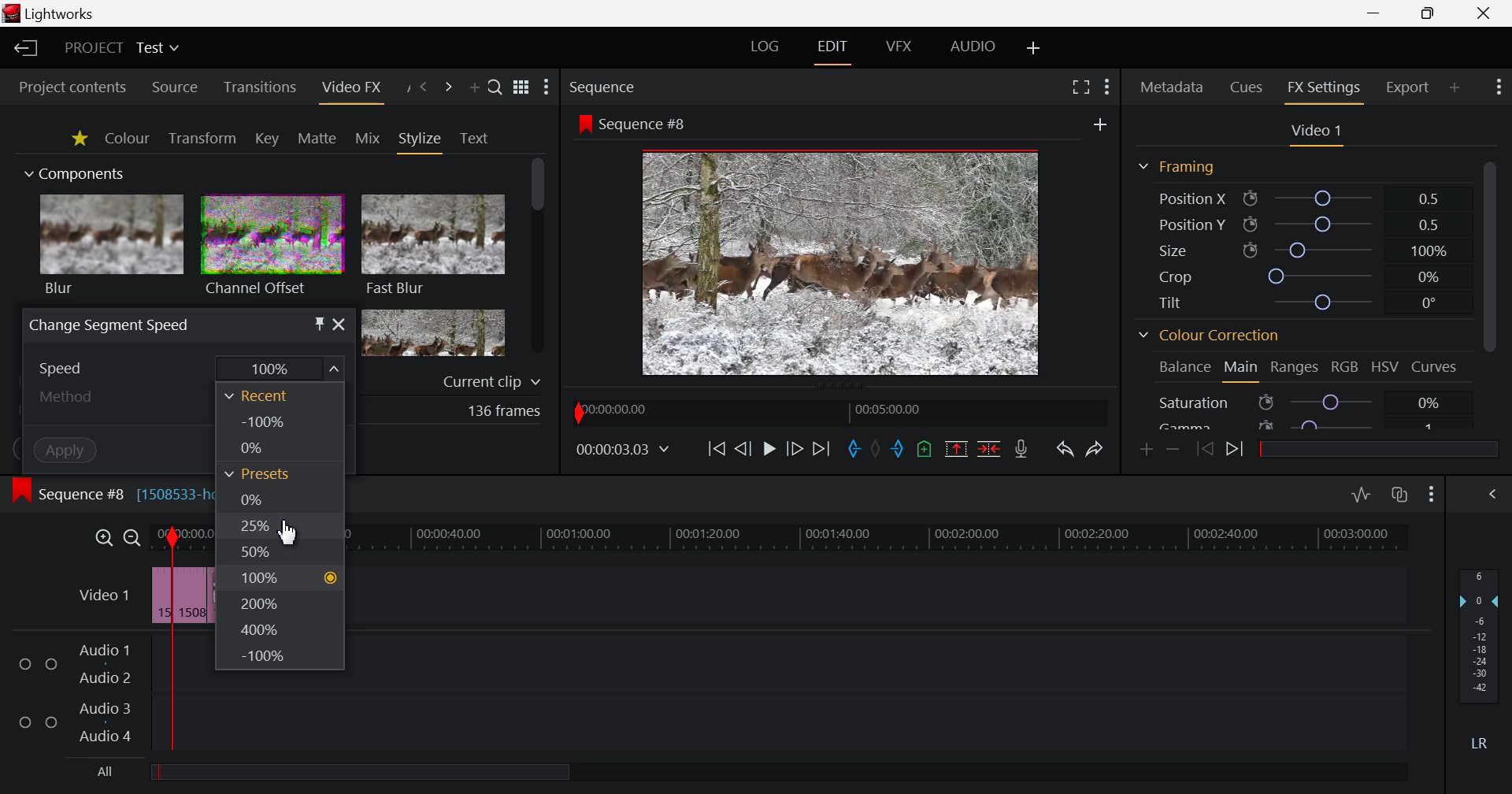 The height and width of the screenshot is (794, 1512). What do you see at coordinates (1183, 369) in the screenshot?
I see `Balance` at bounding box center [1183, 369].